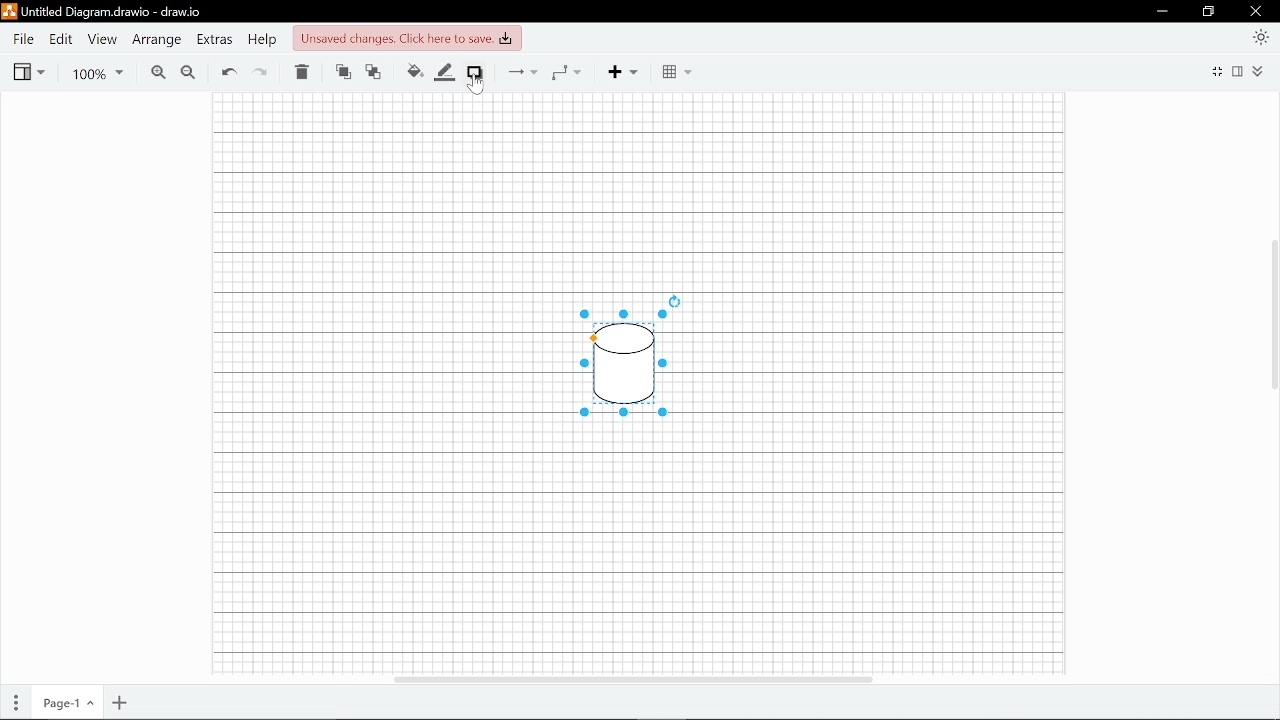 The width and height of the screenshot is (1280, 720). What do you see at coordinates (445, 73) in the screenshot?
I see `Fill line` at bounding box center [445, 73].